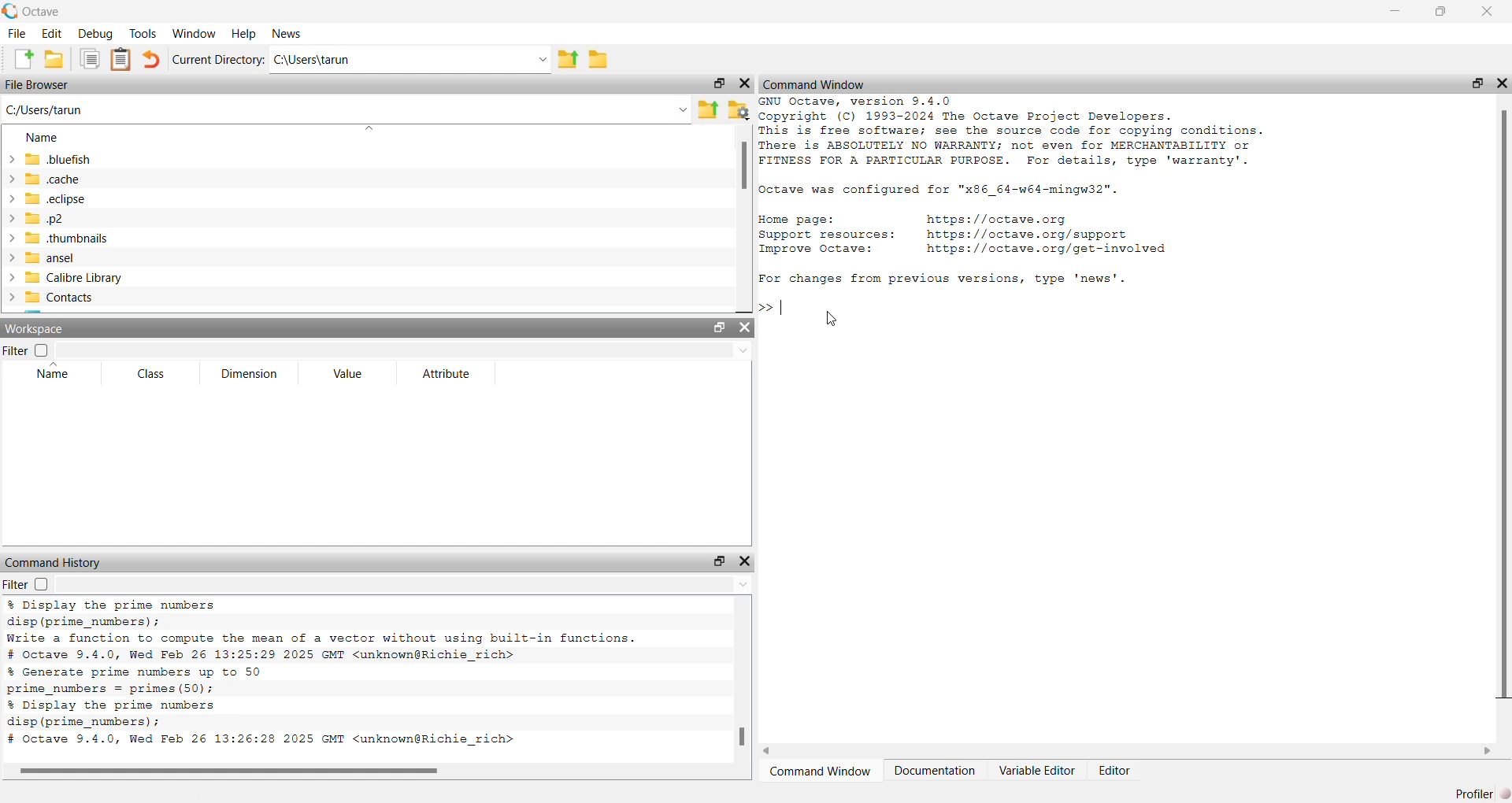  I want to click on Command Window, so click(821, 770).